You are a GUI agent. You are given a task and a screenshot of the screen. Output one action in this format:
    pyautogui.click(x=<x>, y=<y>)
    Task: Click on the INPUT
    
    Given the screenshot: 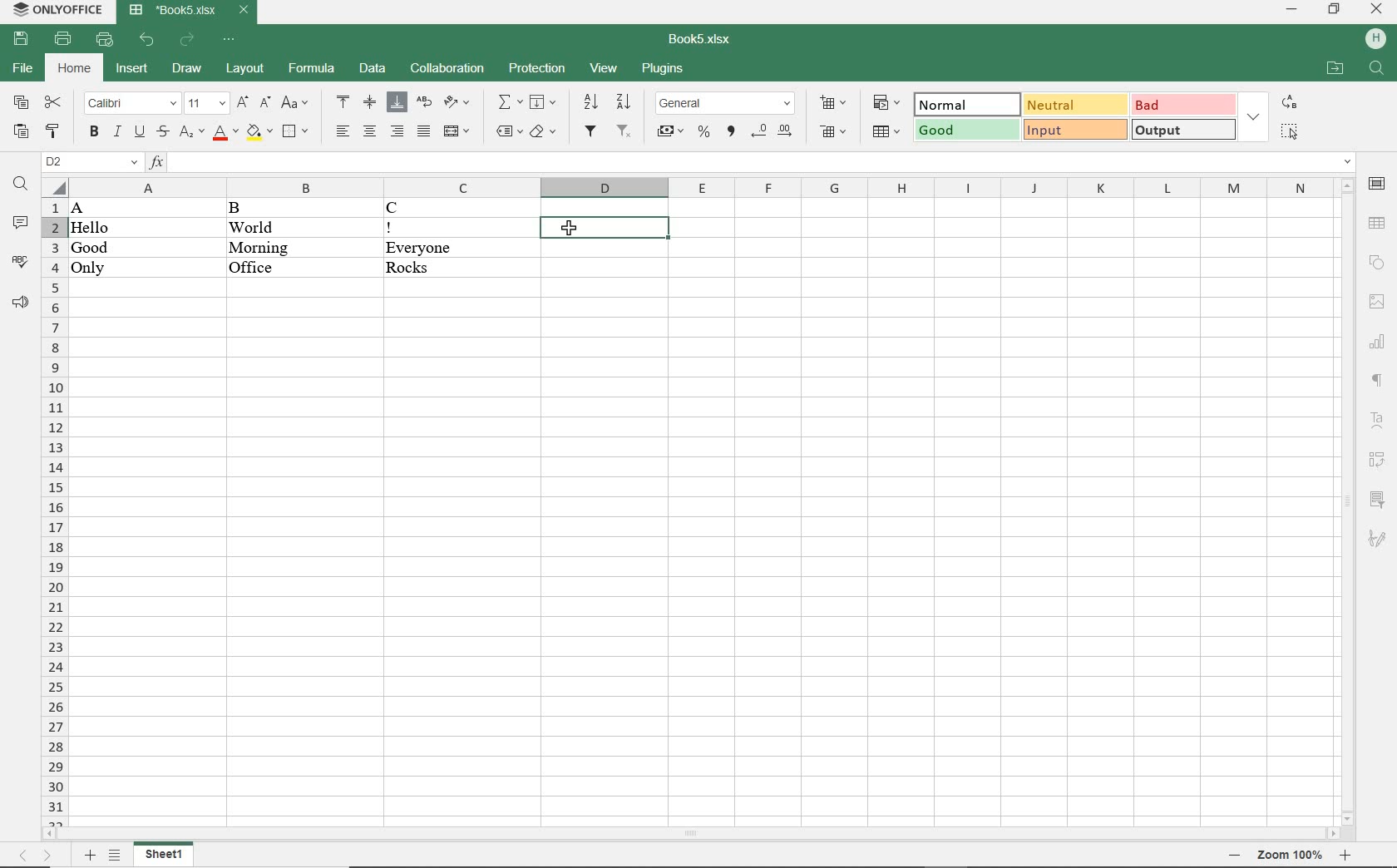 What is the action you would take?
    pyautogui.click(x=1073, y=130)
    